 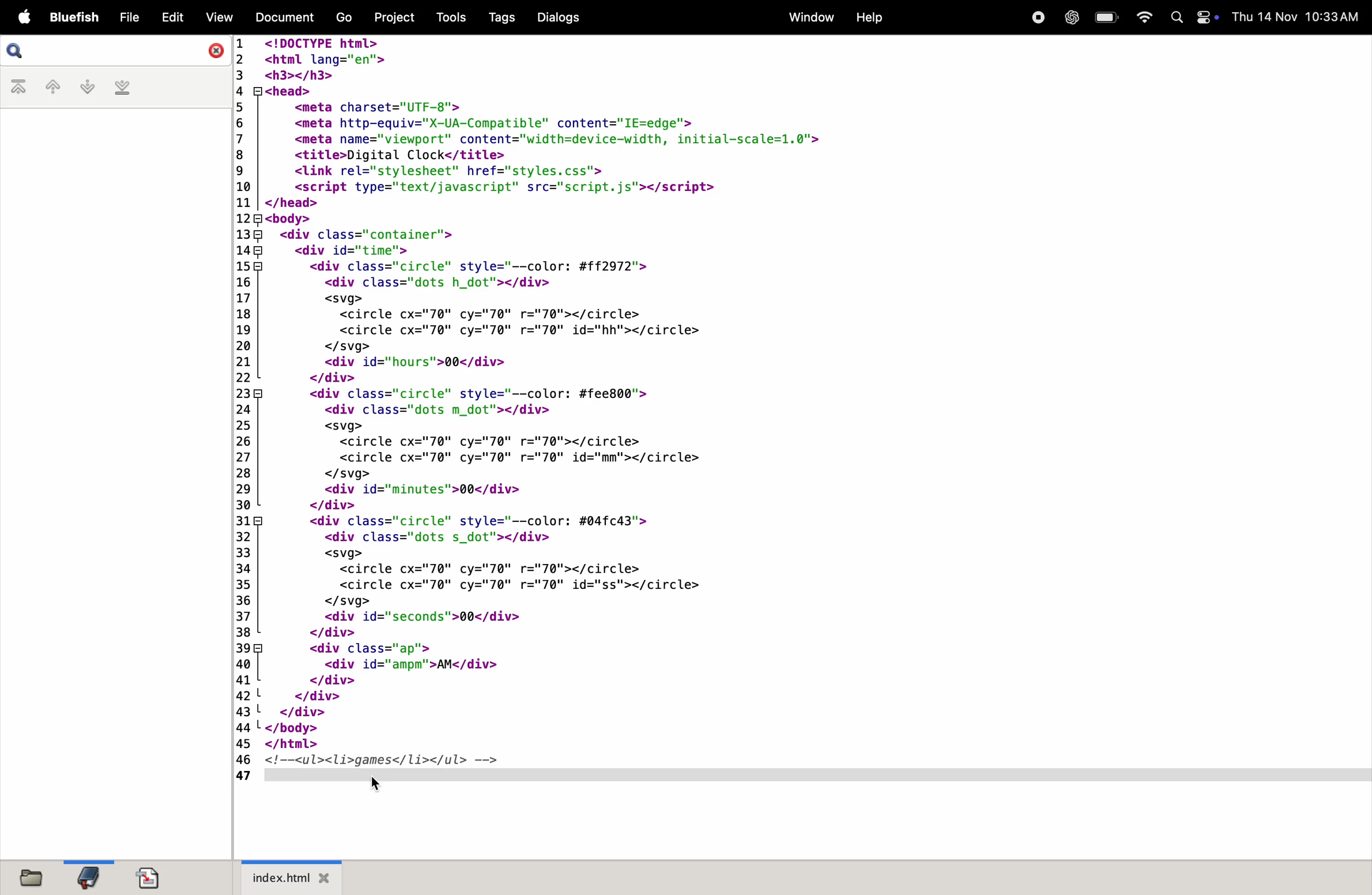 I want to click on chatgpt, so click(x=1071, y=18).